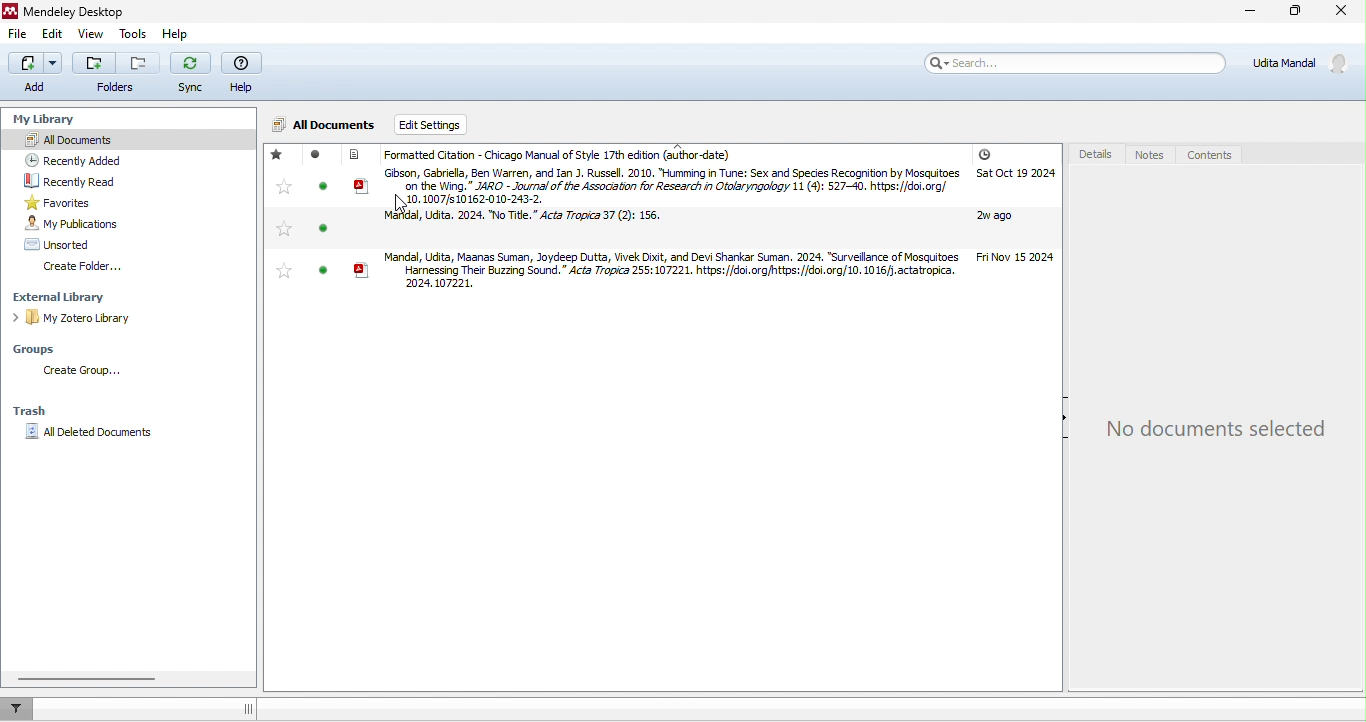  What do you see at coordinates (1077, 64) in the screenshot?
I see `search bar` at bounding box center [1077, 64].